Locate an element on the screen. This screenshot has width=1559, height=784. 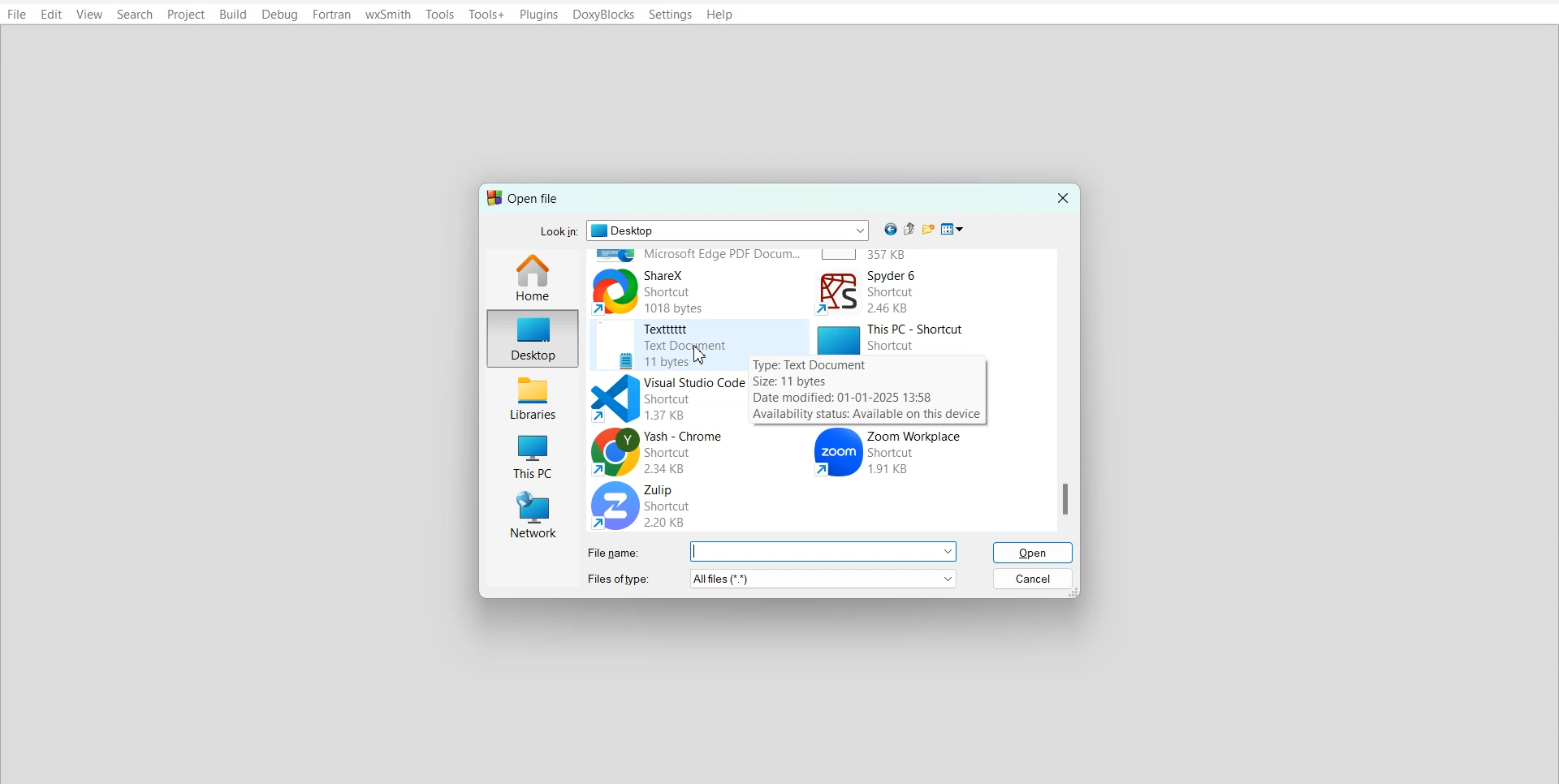
Create new folder is located at coordinates (930, 230).